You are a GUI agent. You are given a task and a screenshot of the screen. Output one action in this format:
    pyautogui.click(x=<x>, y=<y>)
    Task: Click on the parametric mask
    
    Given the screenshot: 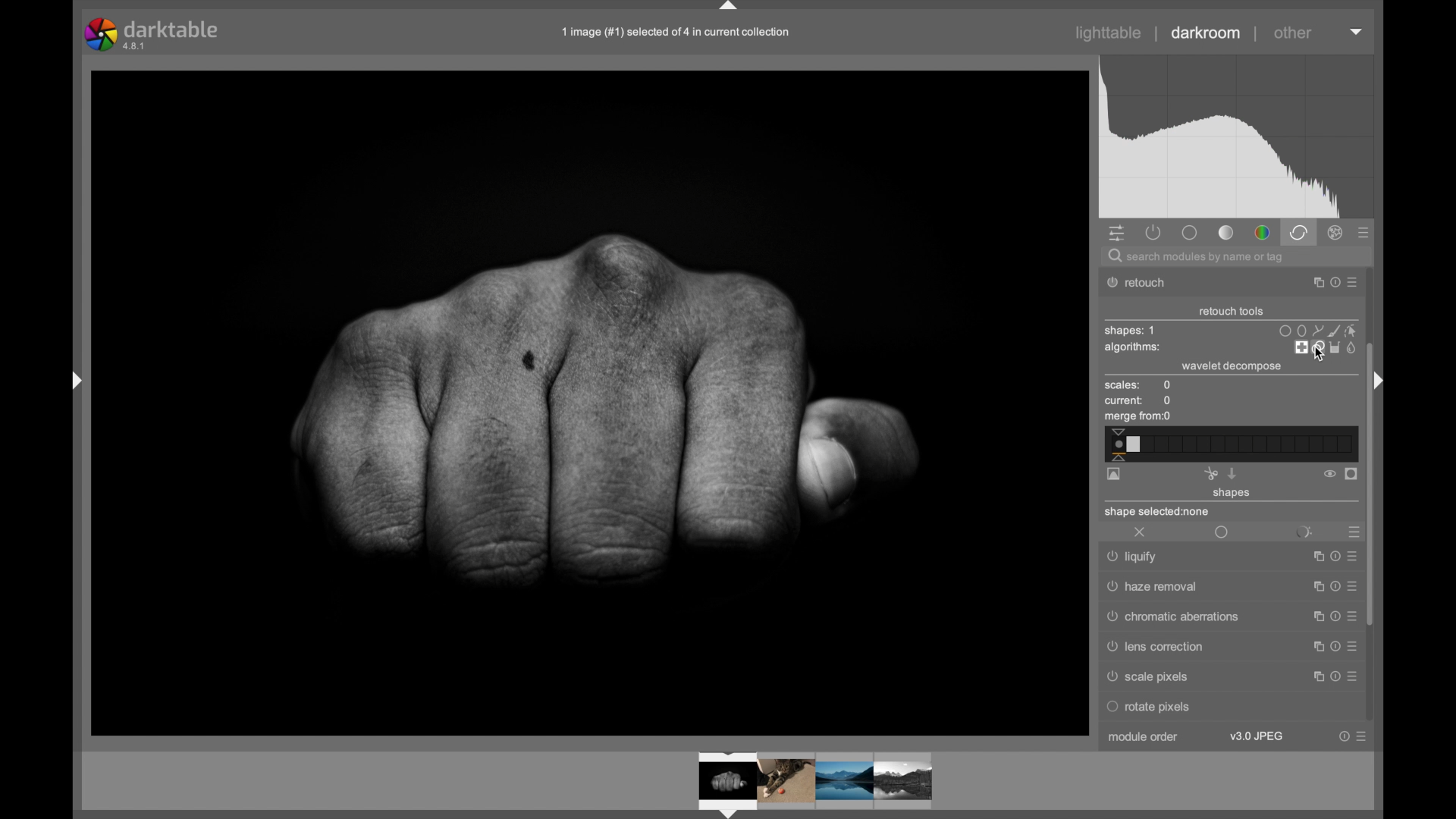 What is the action you would take?
    pyautogui.click(x=1304, y=530)
    